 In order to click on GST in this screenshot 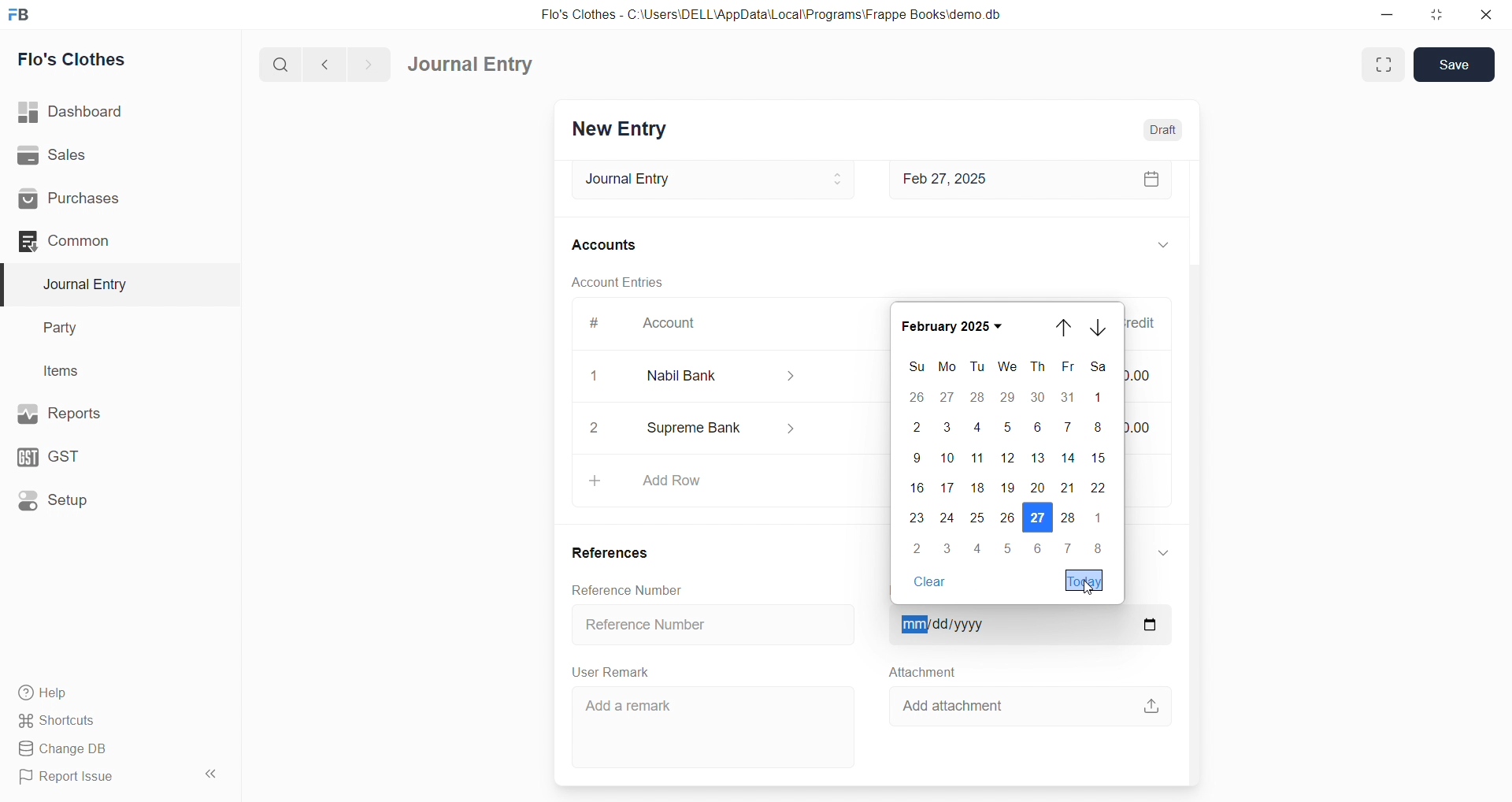, I will do `click(86, 457)`.